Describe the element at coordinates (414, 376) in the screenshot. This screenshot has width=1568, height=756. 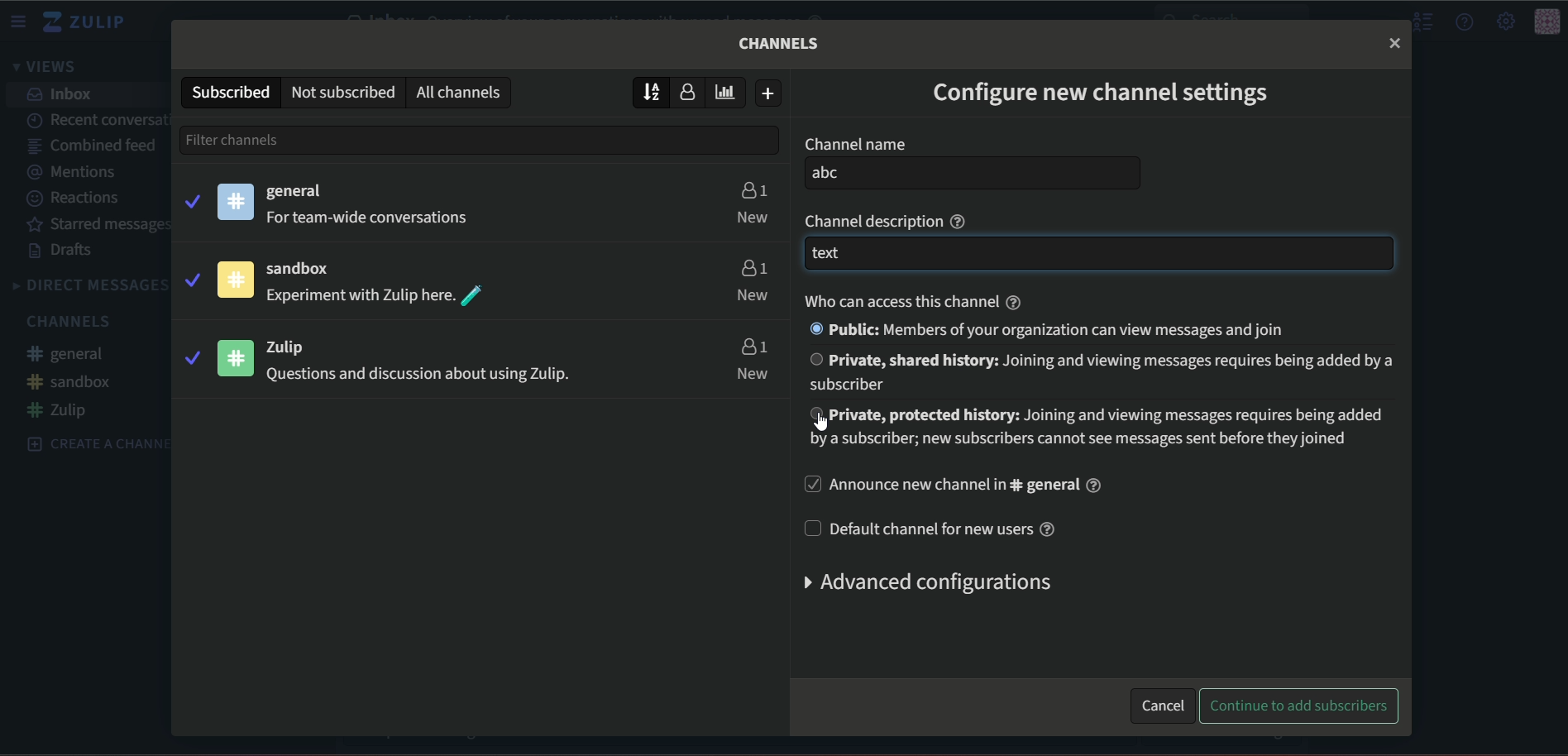
I see `questions and discussion about zulip` at that location.